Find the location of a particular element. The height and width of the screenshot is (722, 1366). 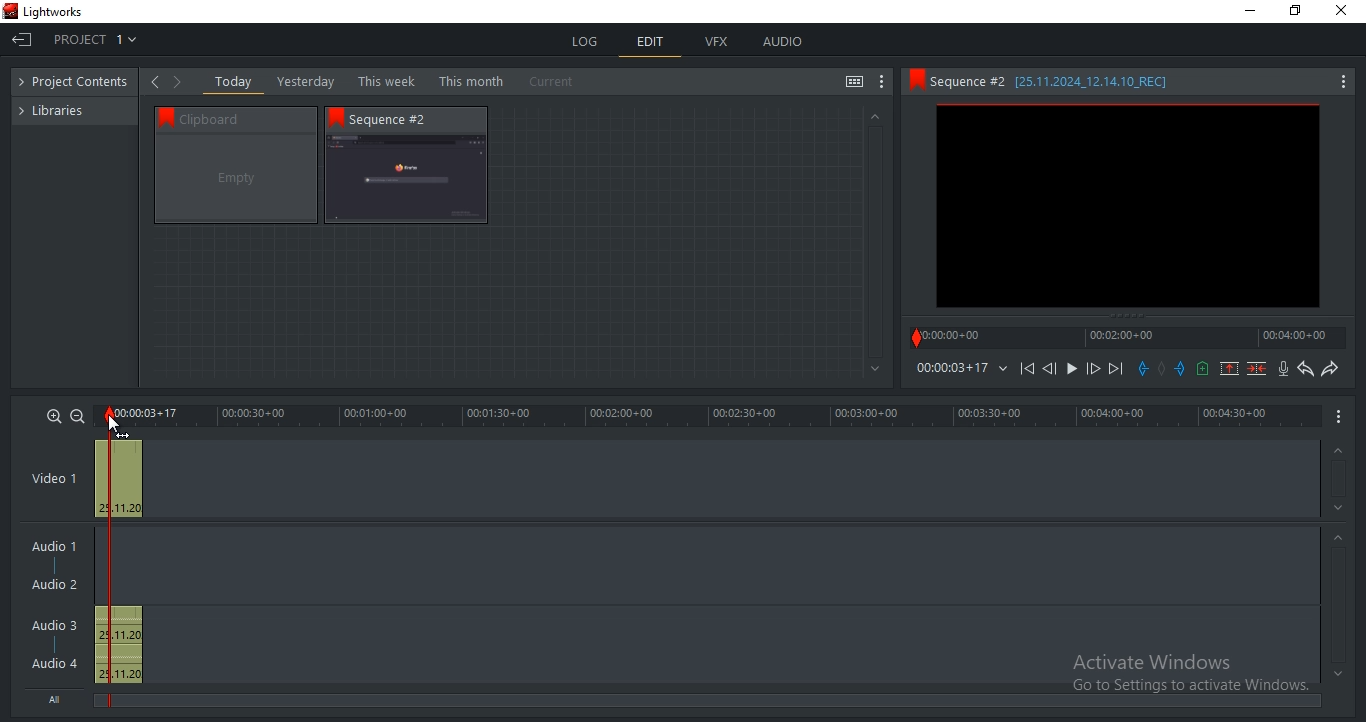

show settings menu is located at coordinates (882, 82).